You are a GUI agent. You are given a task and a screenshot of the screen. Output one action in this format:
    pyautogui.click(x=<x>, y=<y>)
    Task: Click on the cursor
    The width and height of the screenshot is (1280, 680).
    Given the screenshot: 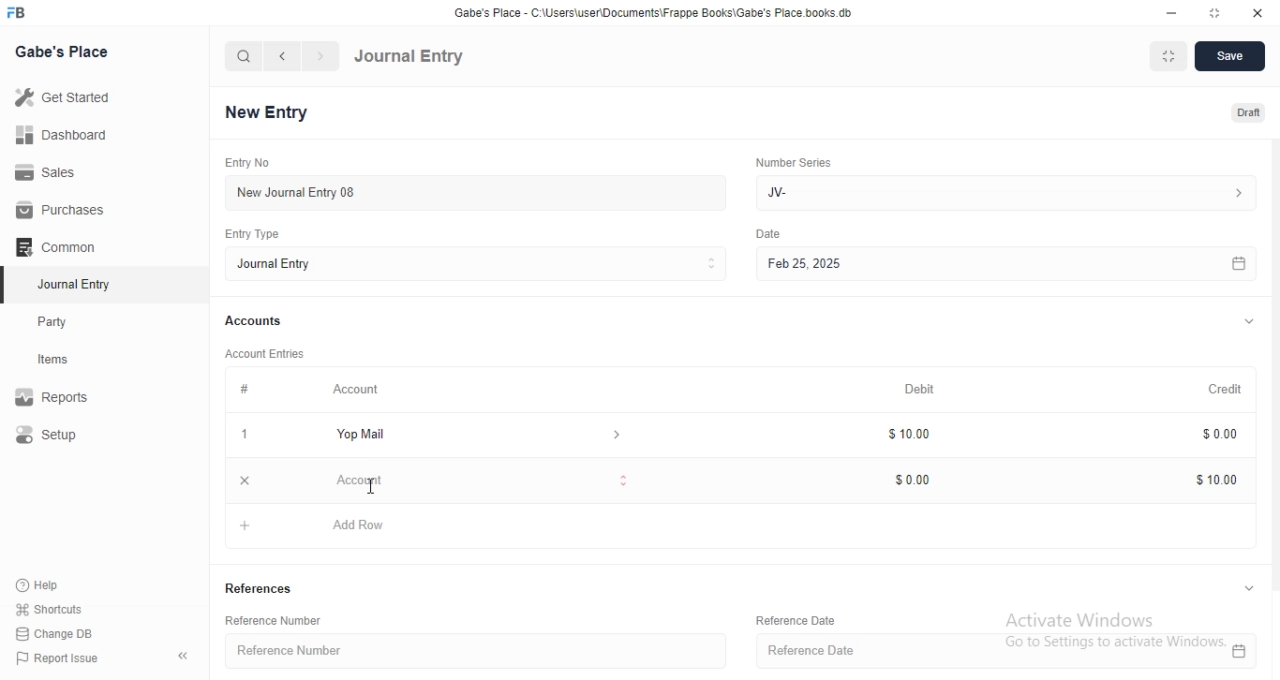 What is the action you would take?
    pyautogui.click(x=367, y=480)
    